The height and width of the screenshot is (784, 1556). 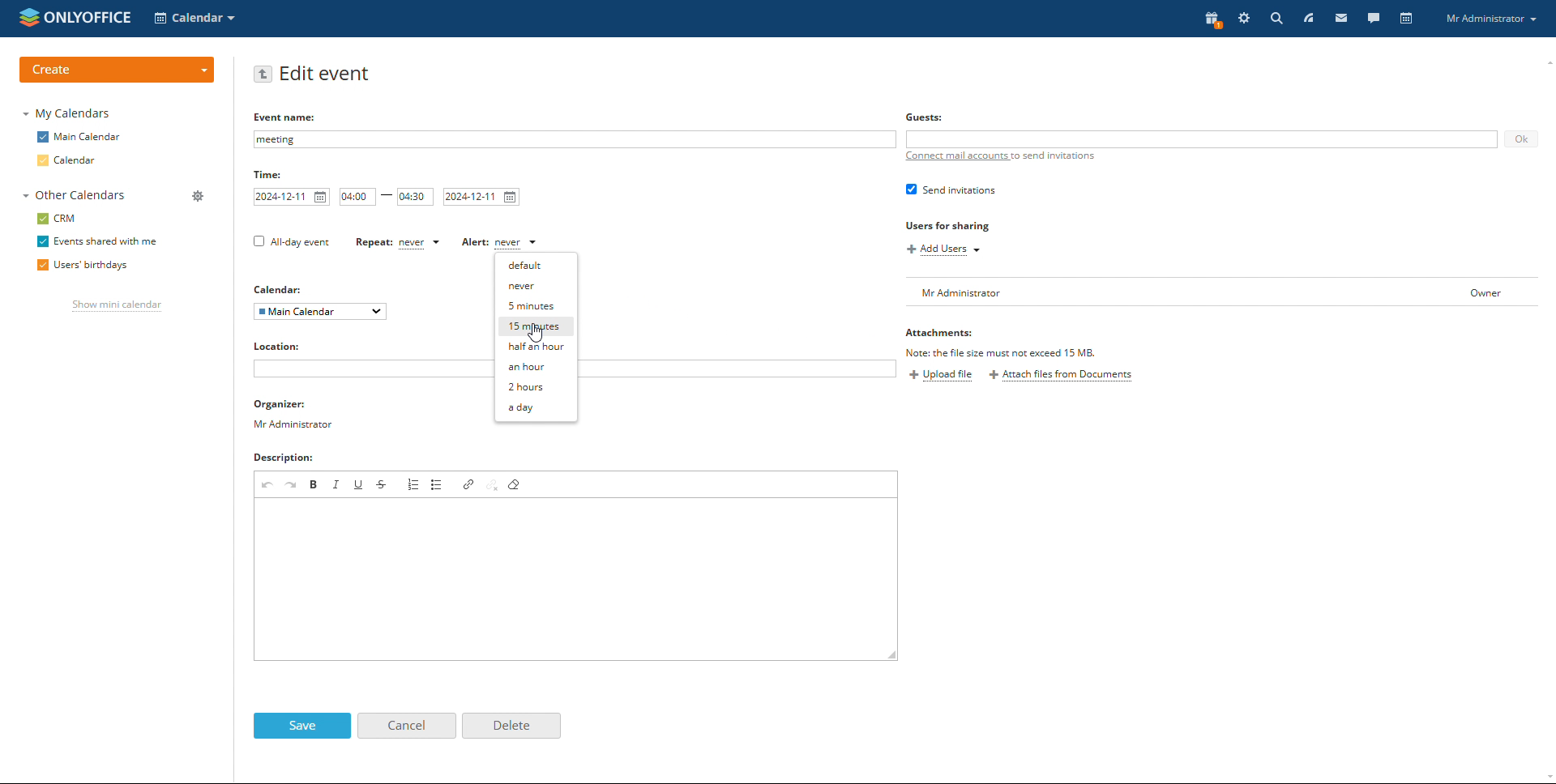 I want to click on Event name:, so click(x=287, y=116).